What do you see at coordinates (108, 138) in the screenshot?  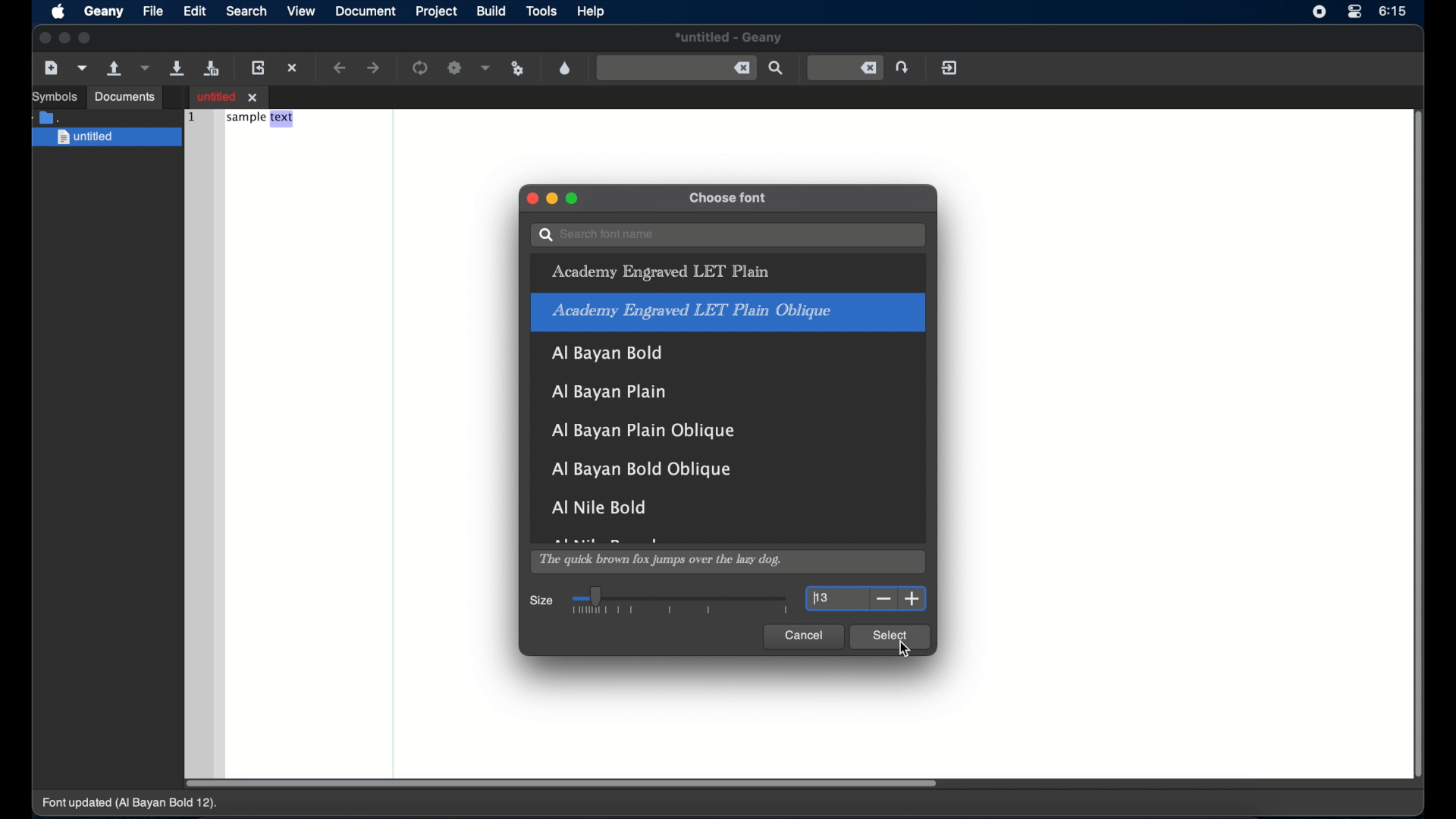 I see `untitled` at bounding box center [108, 138].